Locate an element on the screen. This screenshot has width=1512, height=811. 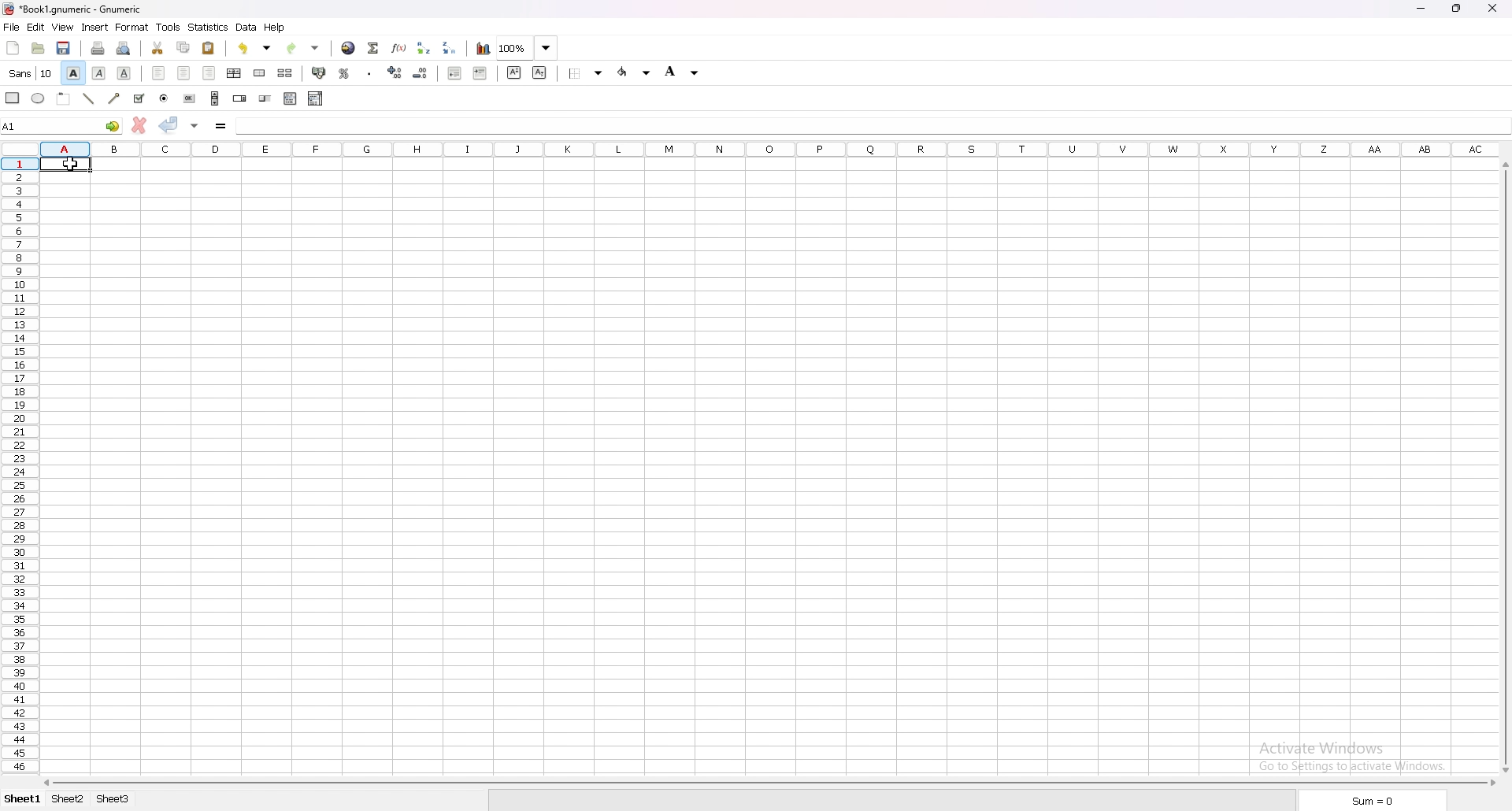
cell input is located at coordinates (872, 124).